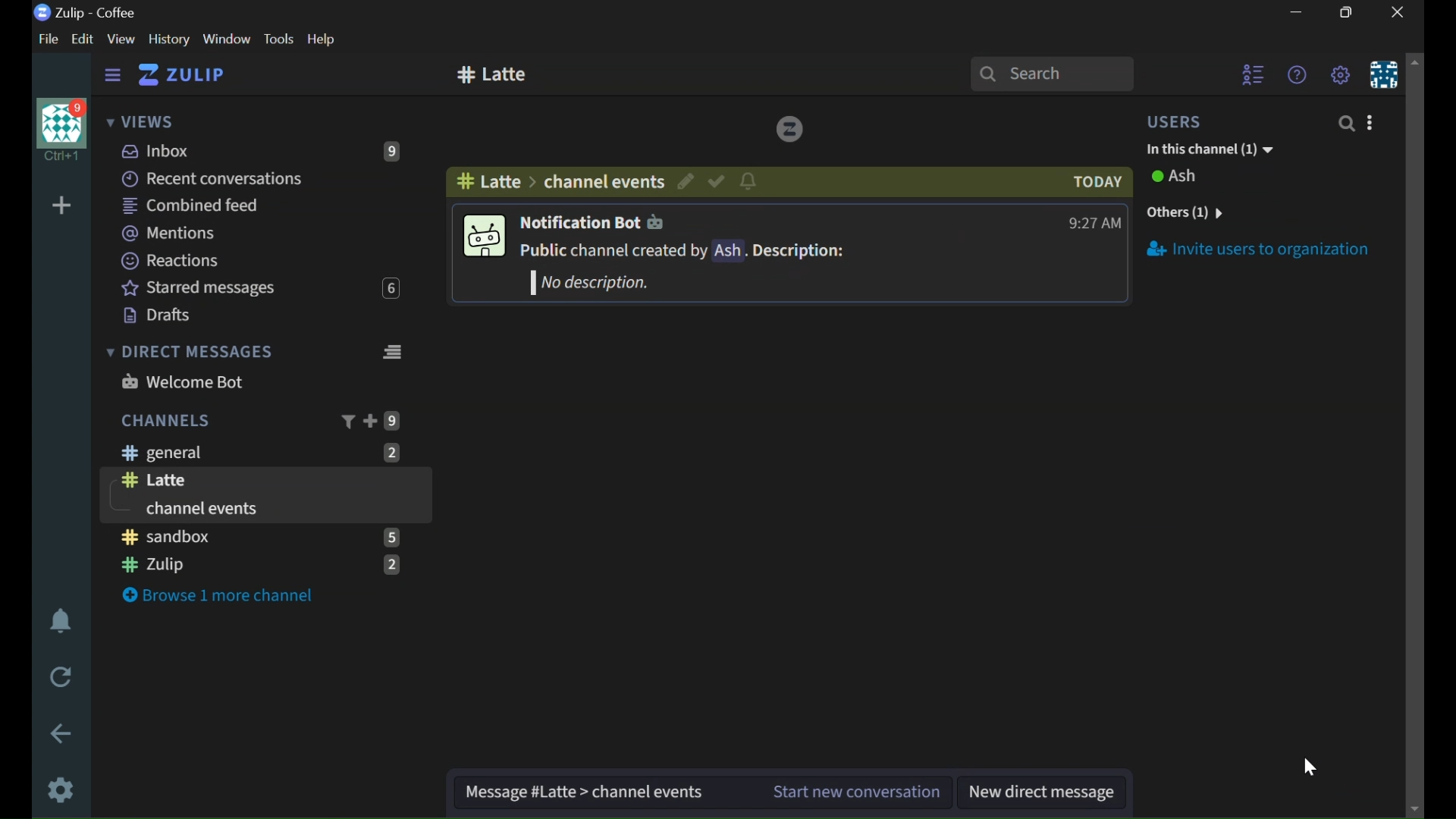 This screenshot has width=1456, height=819. What do you see at coordinates (1097, 182) in the screenshot?
I see `today` at bounding box center [1097, 182].